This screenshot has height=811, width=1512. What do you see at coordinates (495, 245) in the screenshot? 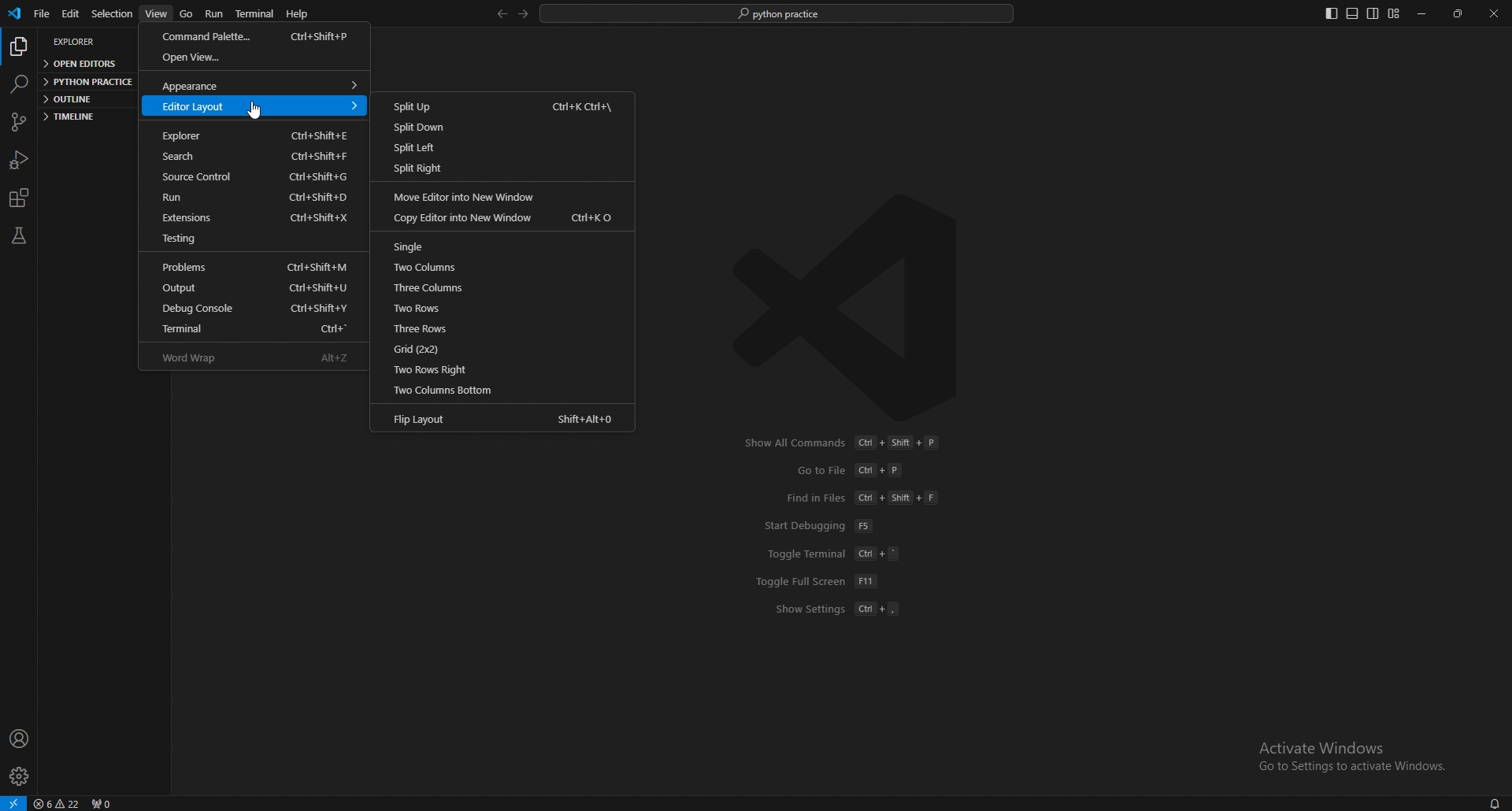
I see `single` at bounding box center [495, 245].